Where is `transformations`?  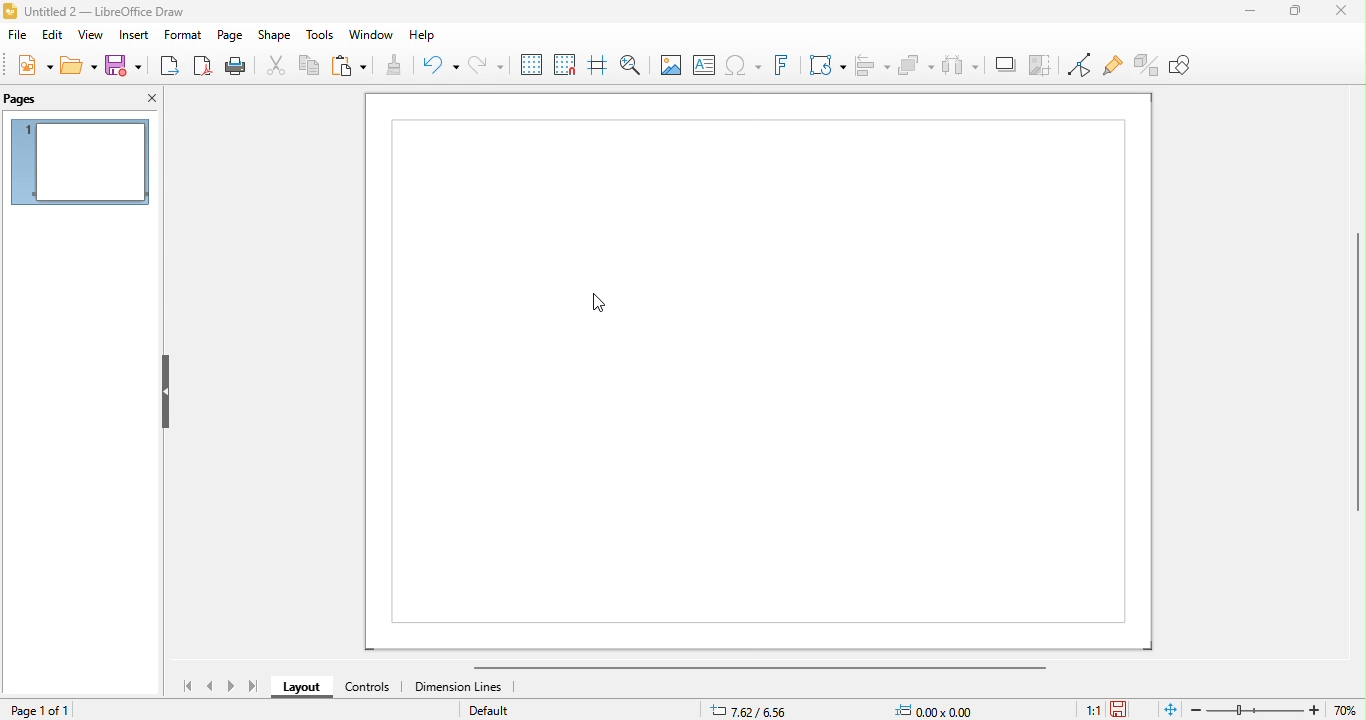
transformations is located at coordinates (826, 65).